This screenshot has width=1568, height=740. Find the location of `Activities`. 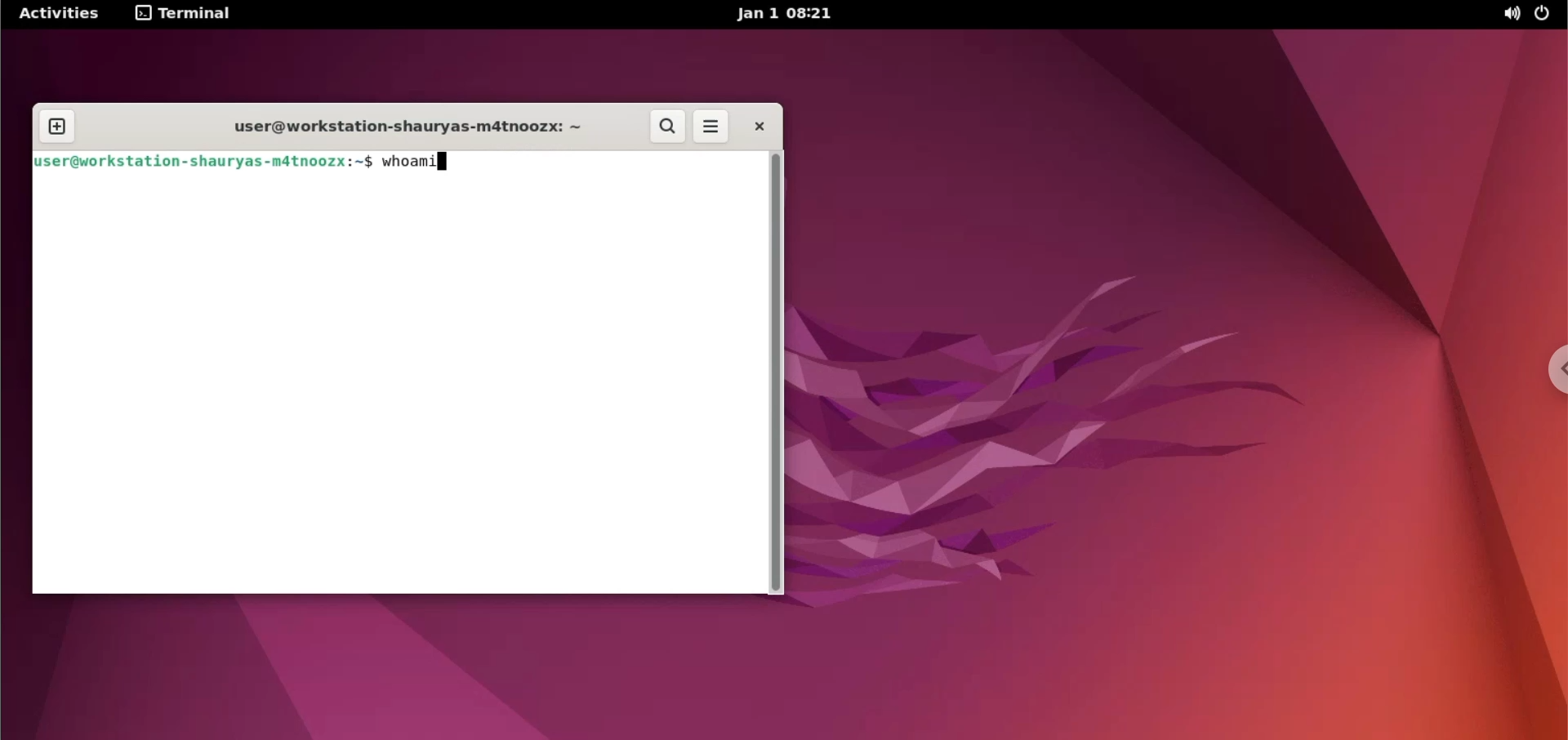

Activities is located at coordinates (60, 14).